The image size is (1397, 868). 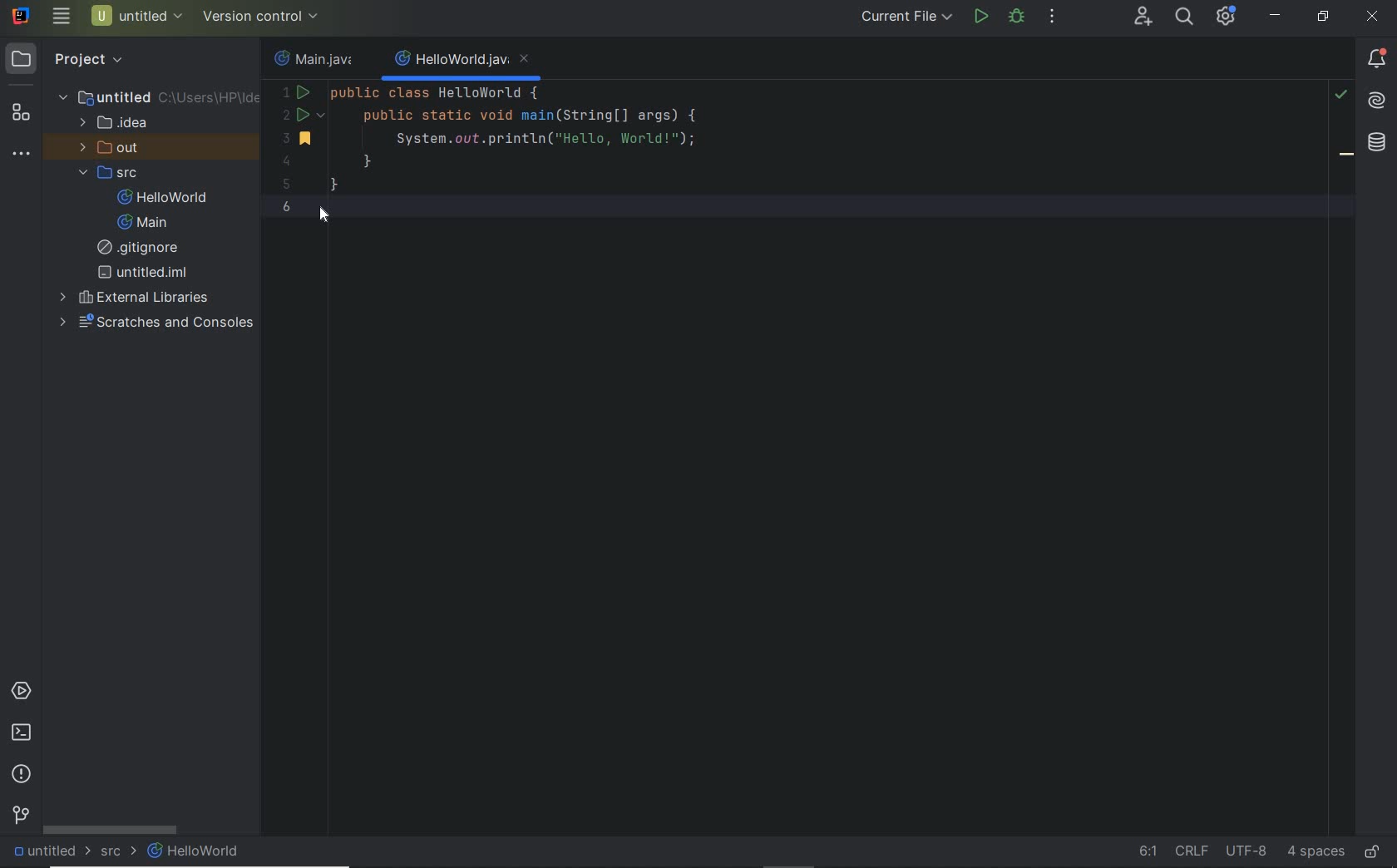 I want to click on current line, so click(x=811, y=205).